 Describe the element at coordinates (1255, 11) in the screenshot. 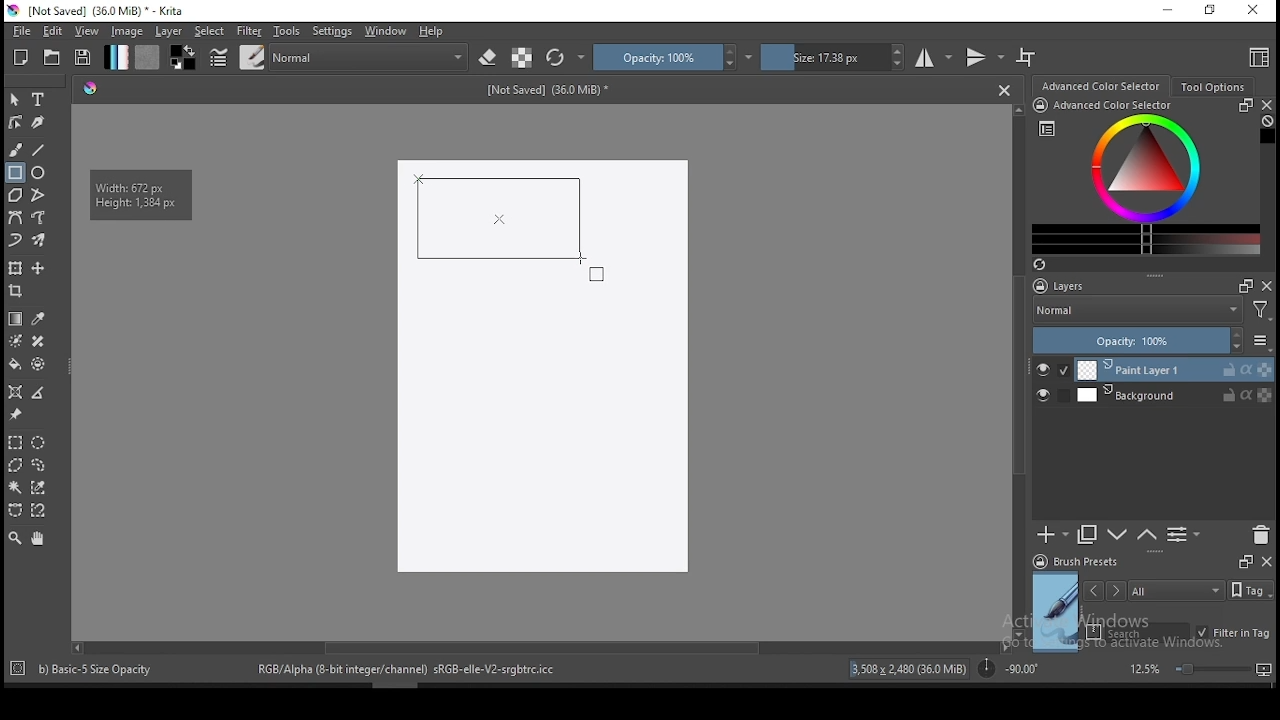

I see ` close window` at that location.